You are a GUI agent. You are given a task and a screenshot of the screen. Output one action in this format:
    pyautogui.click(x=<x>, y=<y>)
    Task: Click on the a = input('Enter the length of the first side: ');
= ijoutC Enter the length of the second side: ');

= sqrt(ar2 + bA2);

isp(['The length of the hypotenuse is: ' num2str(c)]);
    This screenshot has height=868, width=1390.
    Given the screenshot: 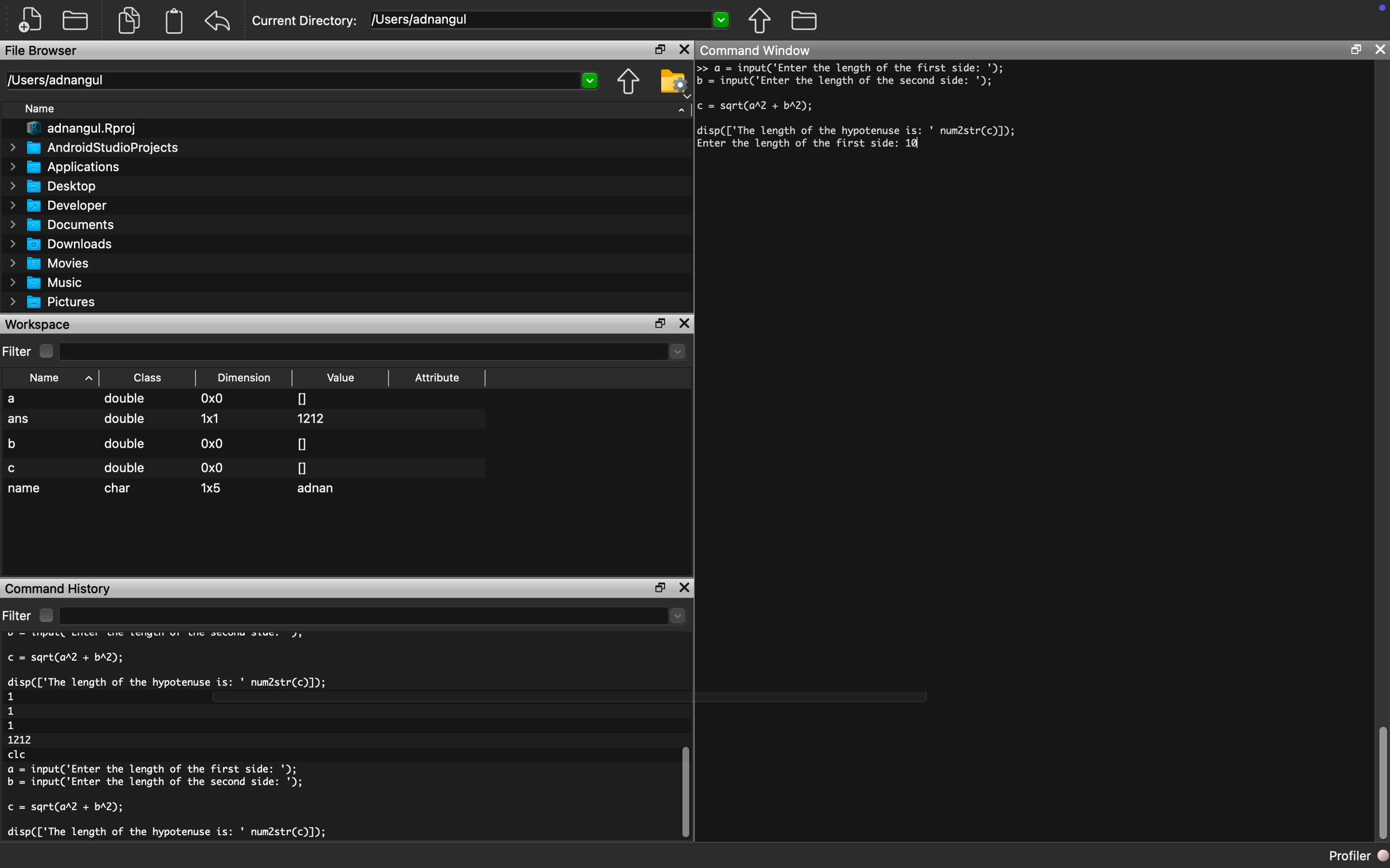 What is the action you would take?
    pyautogui.click(x=894, y=106)
    